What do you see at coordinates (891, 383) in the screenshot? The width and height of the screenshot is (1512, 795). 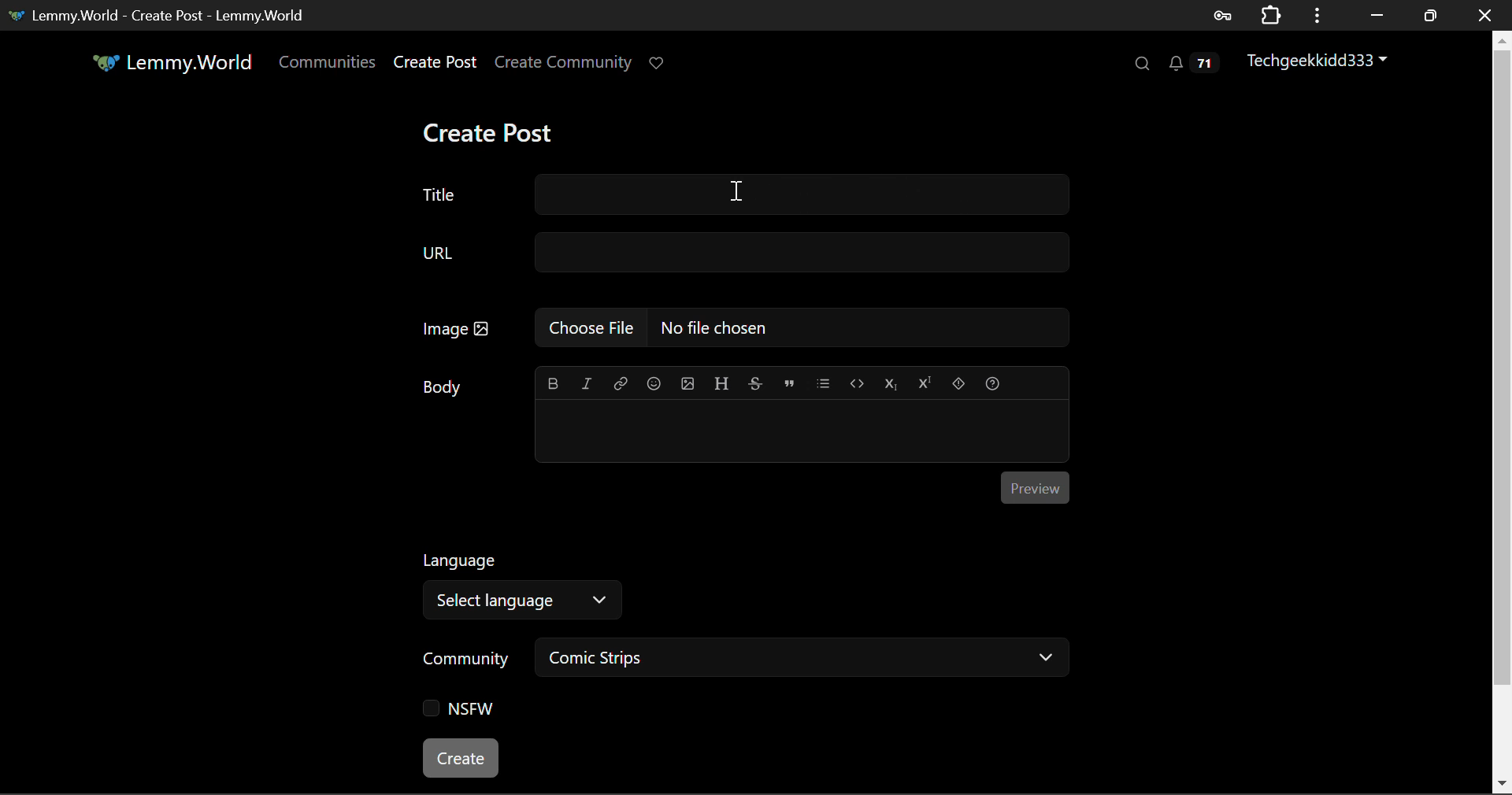 I see `subscript` at bounding box center [891, 383].